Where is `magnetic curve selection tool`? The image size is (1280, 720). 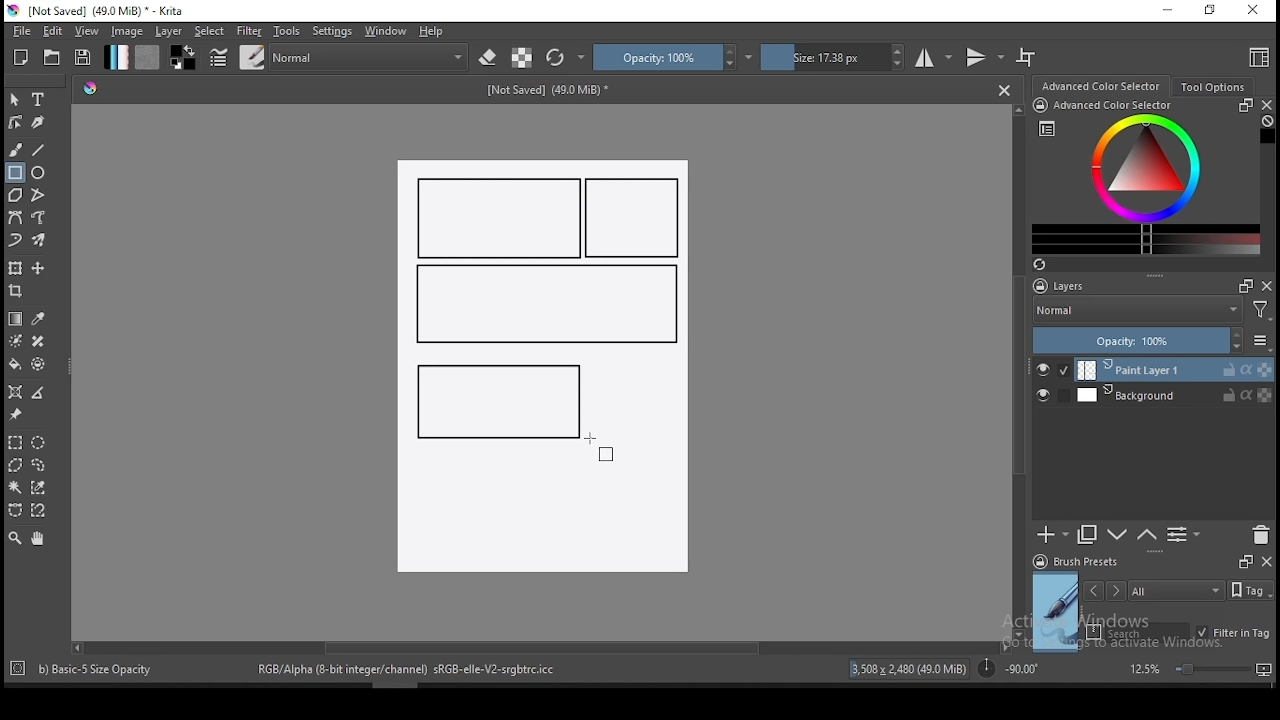
magnetic curve selection tool is located at coordinates (36, 510).